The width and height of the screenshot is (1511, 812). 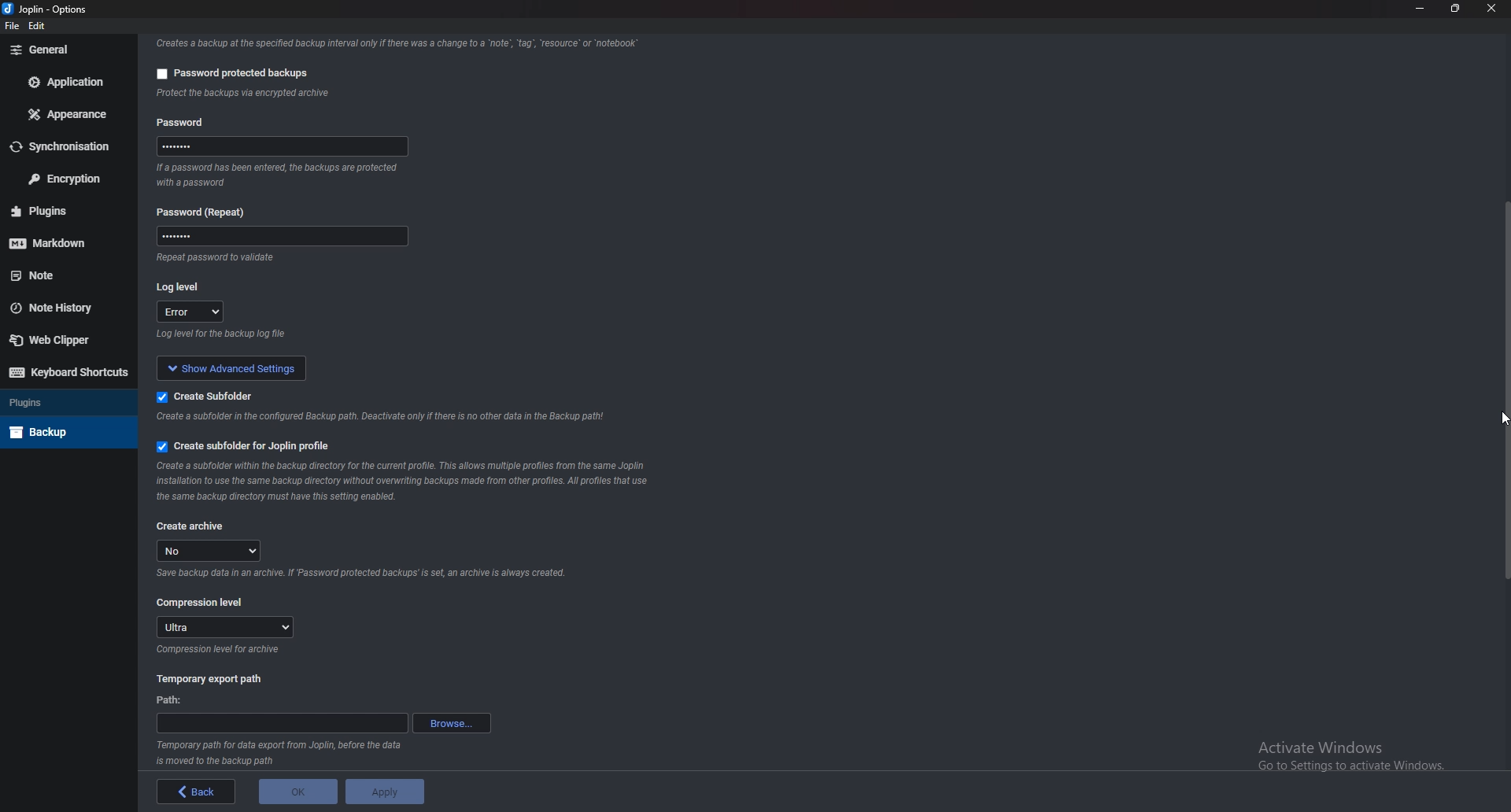 What do you see at coordinates (384, 418) in the screenshot?
I see `info` at bounding box center [384, 418].